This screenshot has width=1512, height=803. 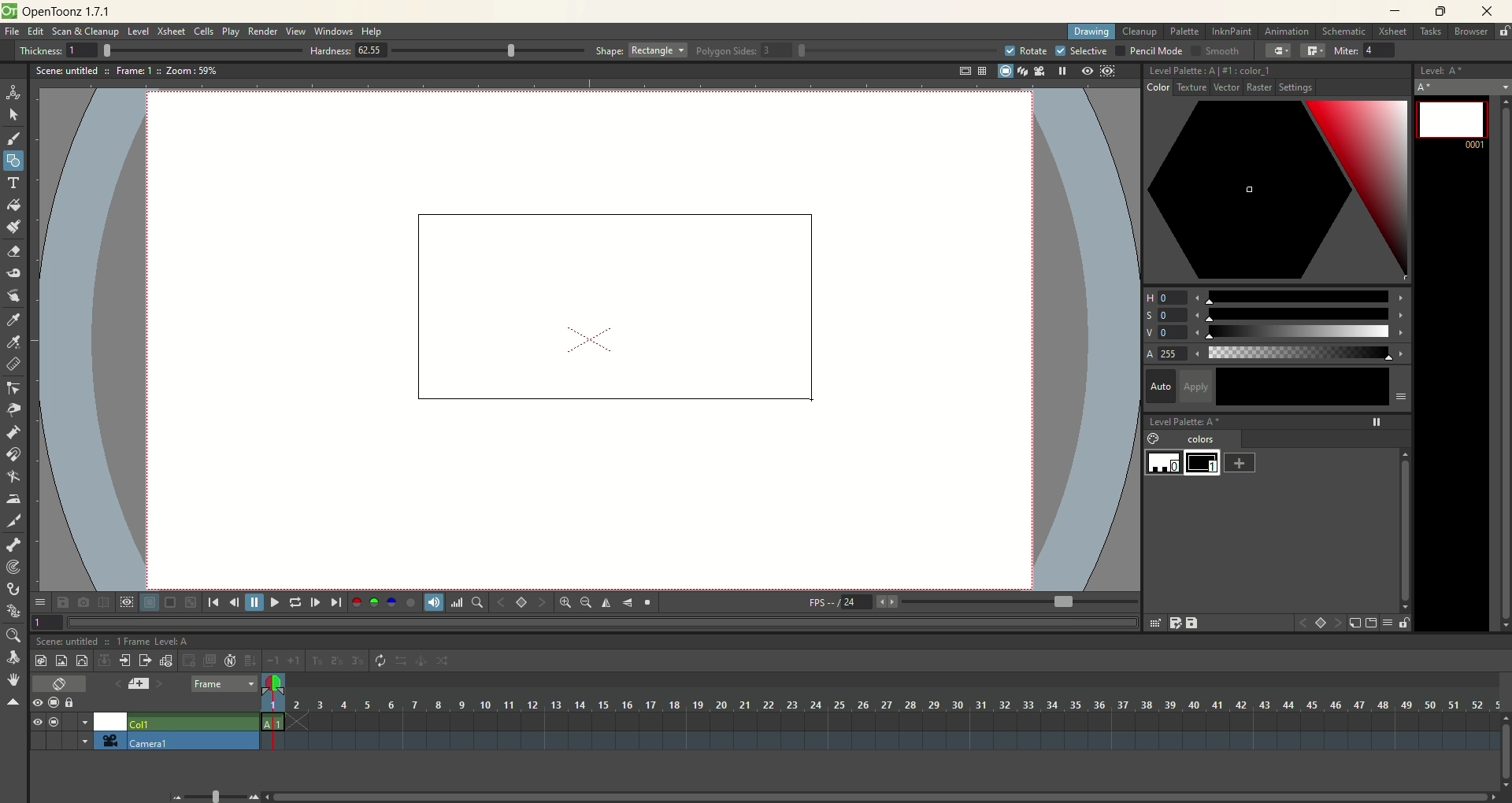 What do you see at coordinates (606, 302) in the screenshot?
I see `rectangle shape` at bounding box center [606, 302].